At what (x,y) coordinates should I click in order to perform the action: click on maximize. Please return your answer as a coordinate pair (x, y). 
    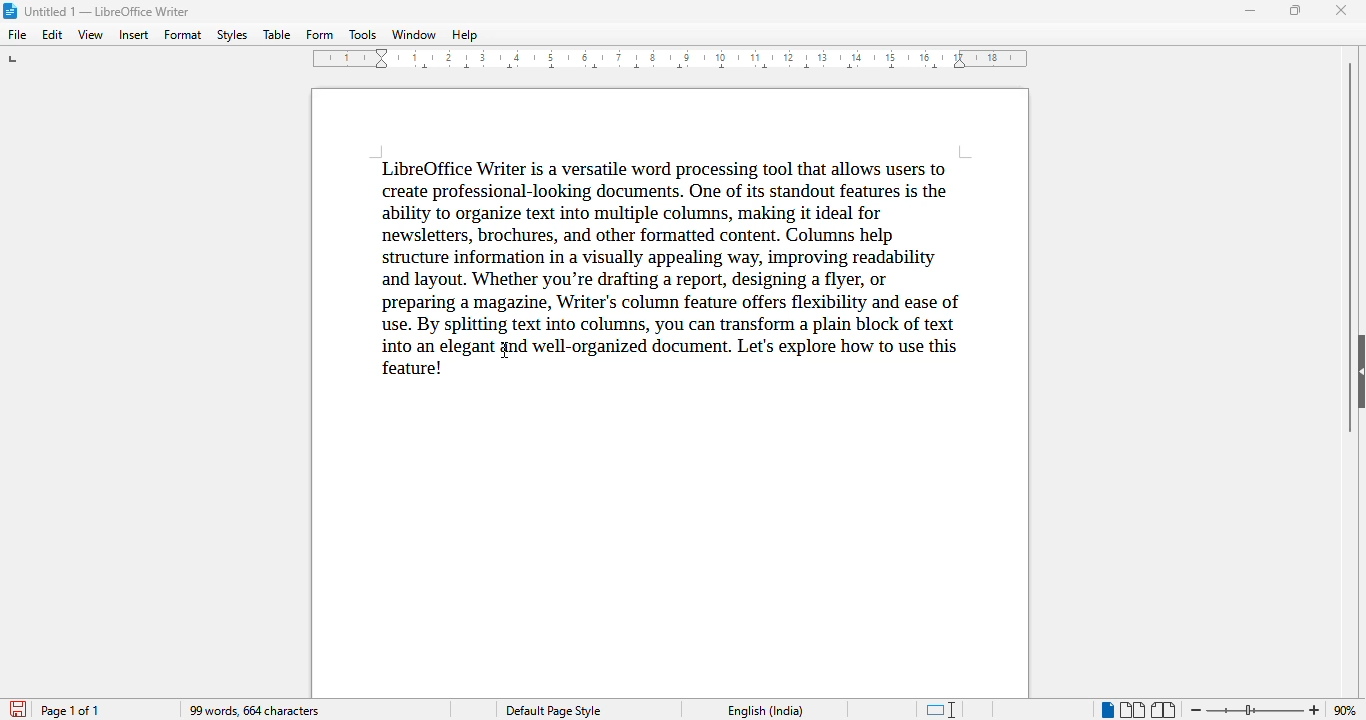
    Looking at the image, I should click on (1297, 10).